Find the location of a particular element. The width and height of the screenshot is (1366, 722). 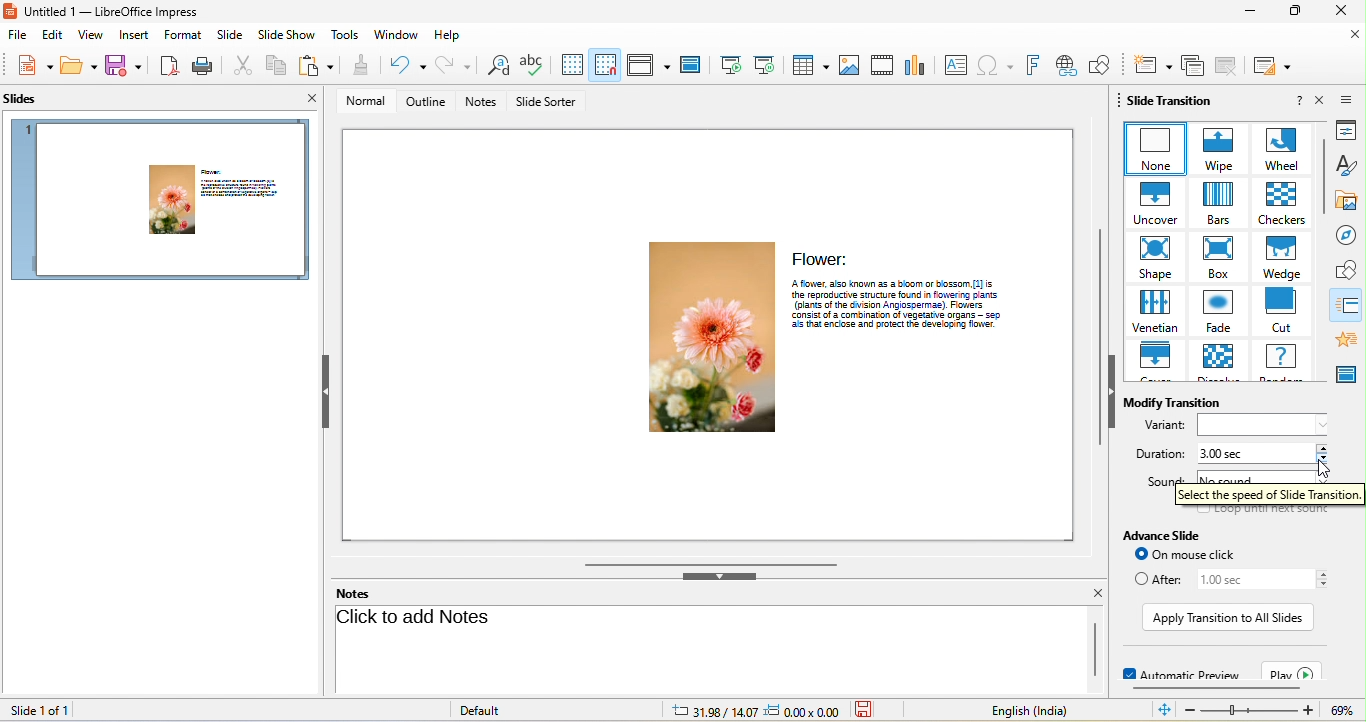

checkers is located at coordinates (1278, 203).